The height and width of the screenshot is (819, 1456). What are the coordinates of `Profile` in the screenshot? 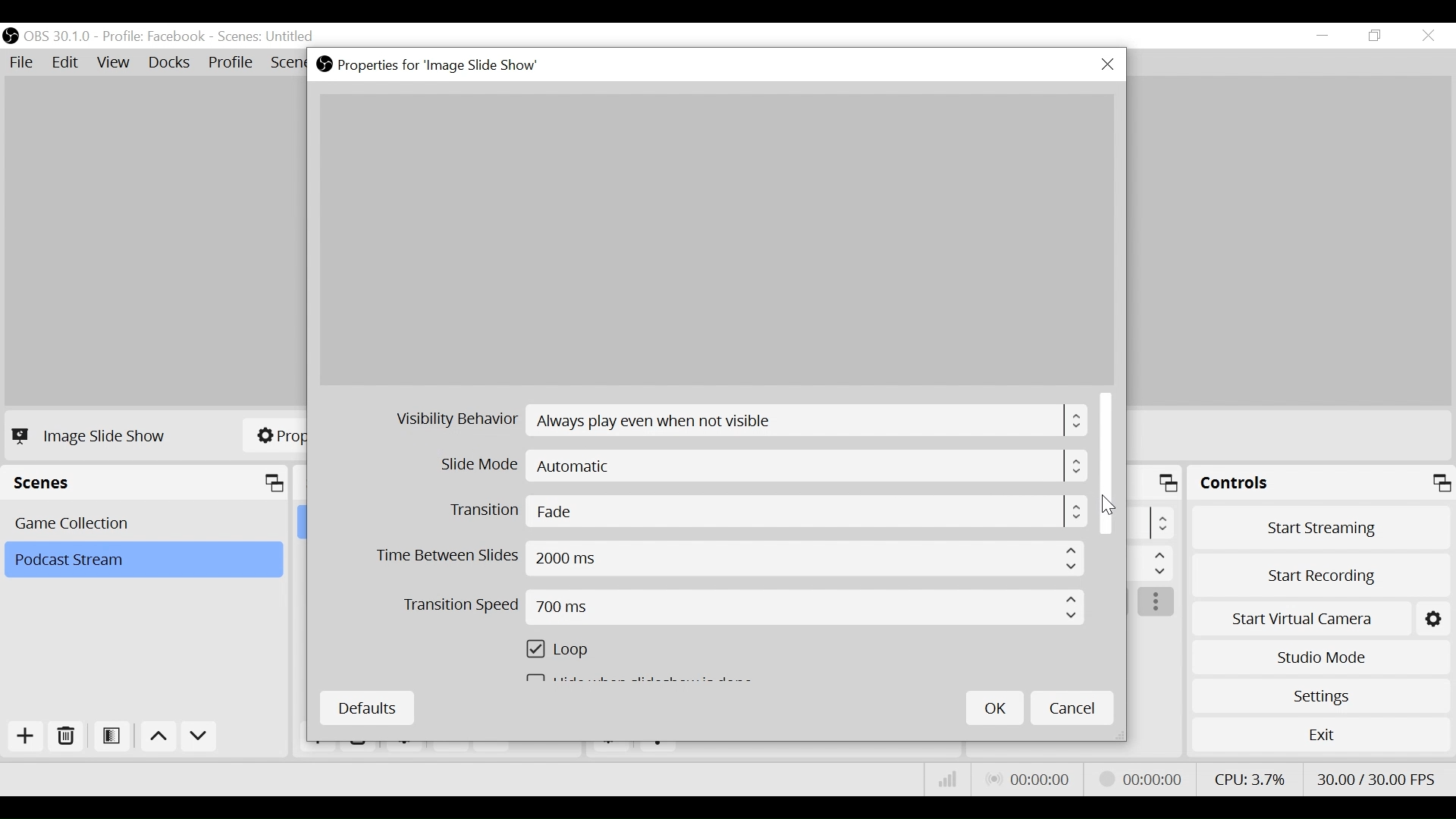 It's located at (231, 64).